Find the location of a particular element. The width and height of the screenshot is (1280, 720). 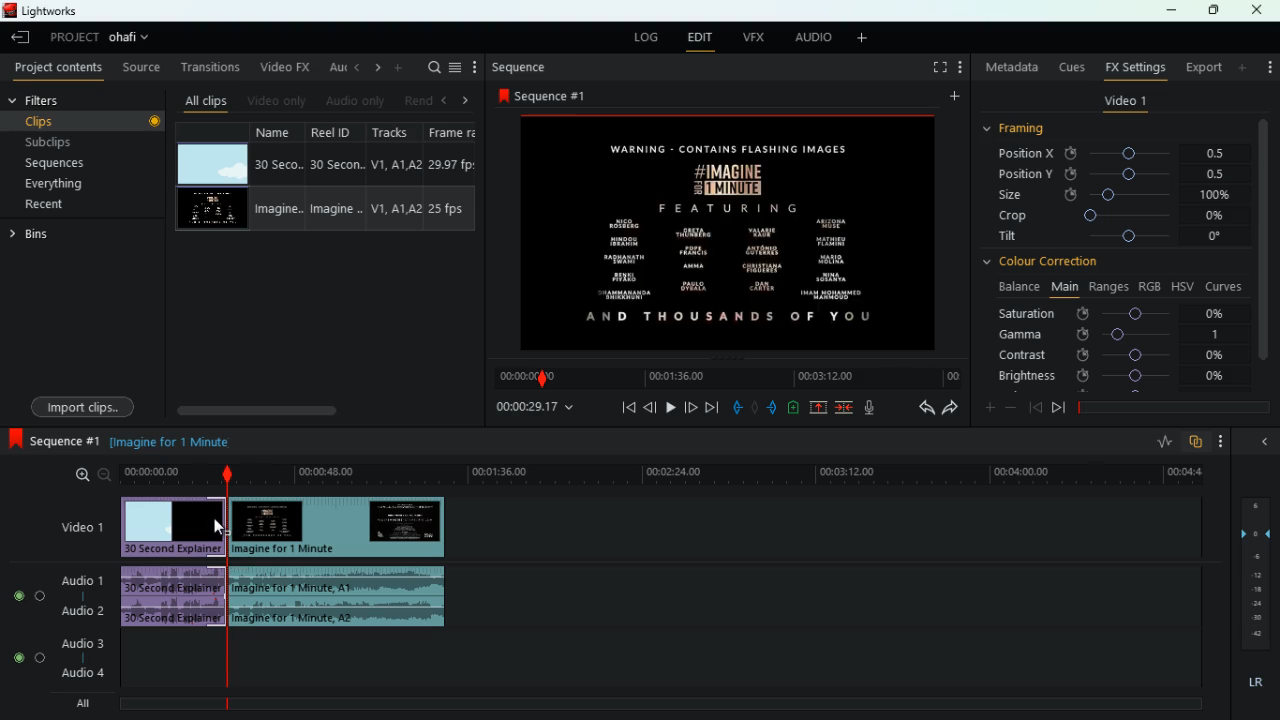

more is located at coordinates (1226, 441).